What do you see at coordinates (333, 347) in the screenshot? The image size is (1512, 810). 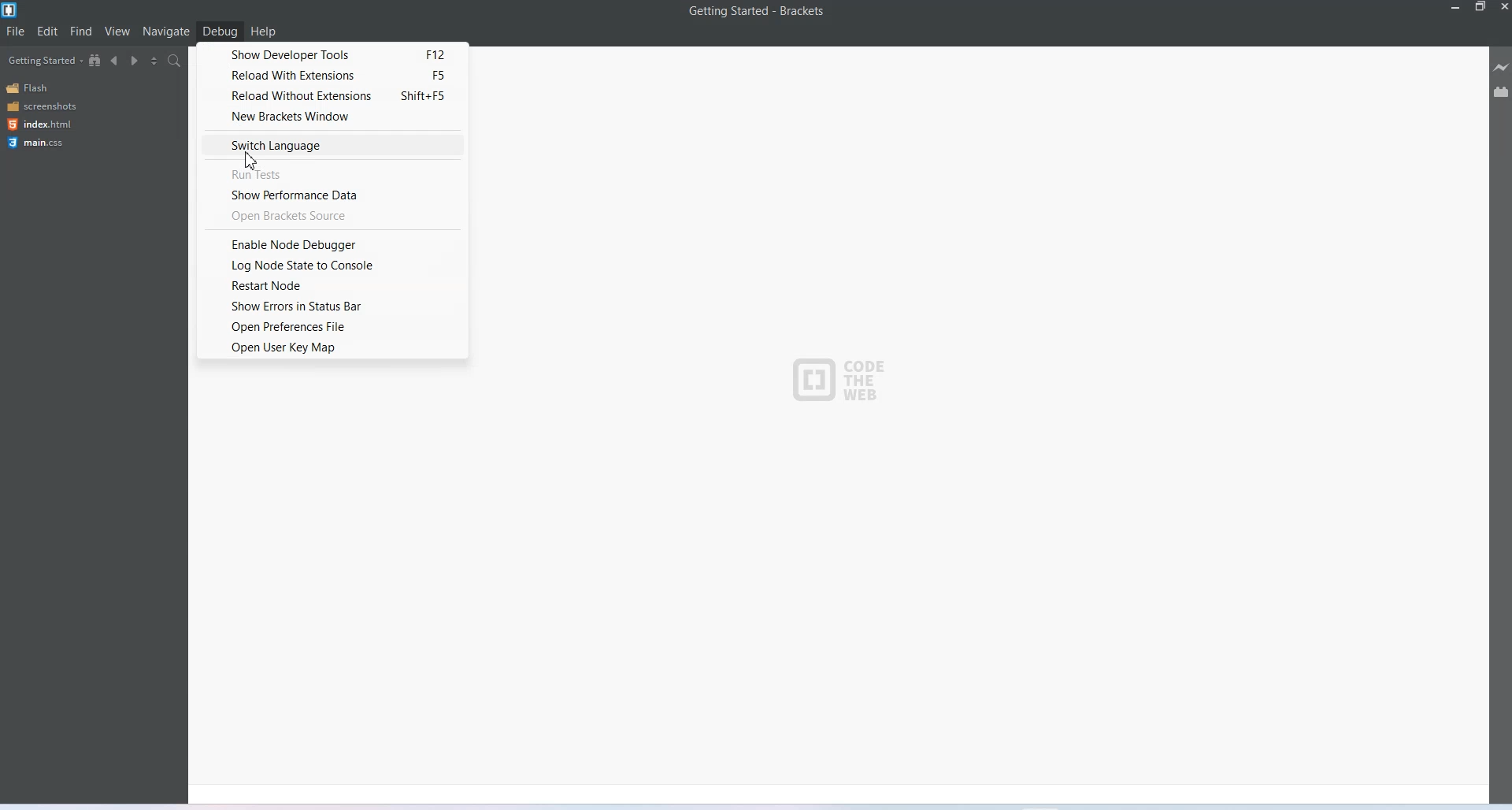 I see `Open user key map` at bounding box center [333, 347].